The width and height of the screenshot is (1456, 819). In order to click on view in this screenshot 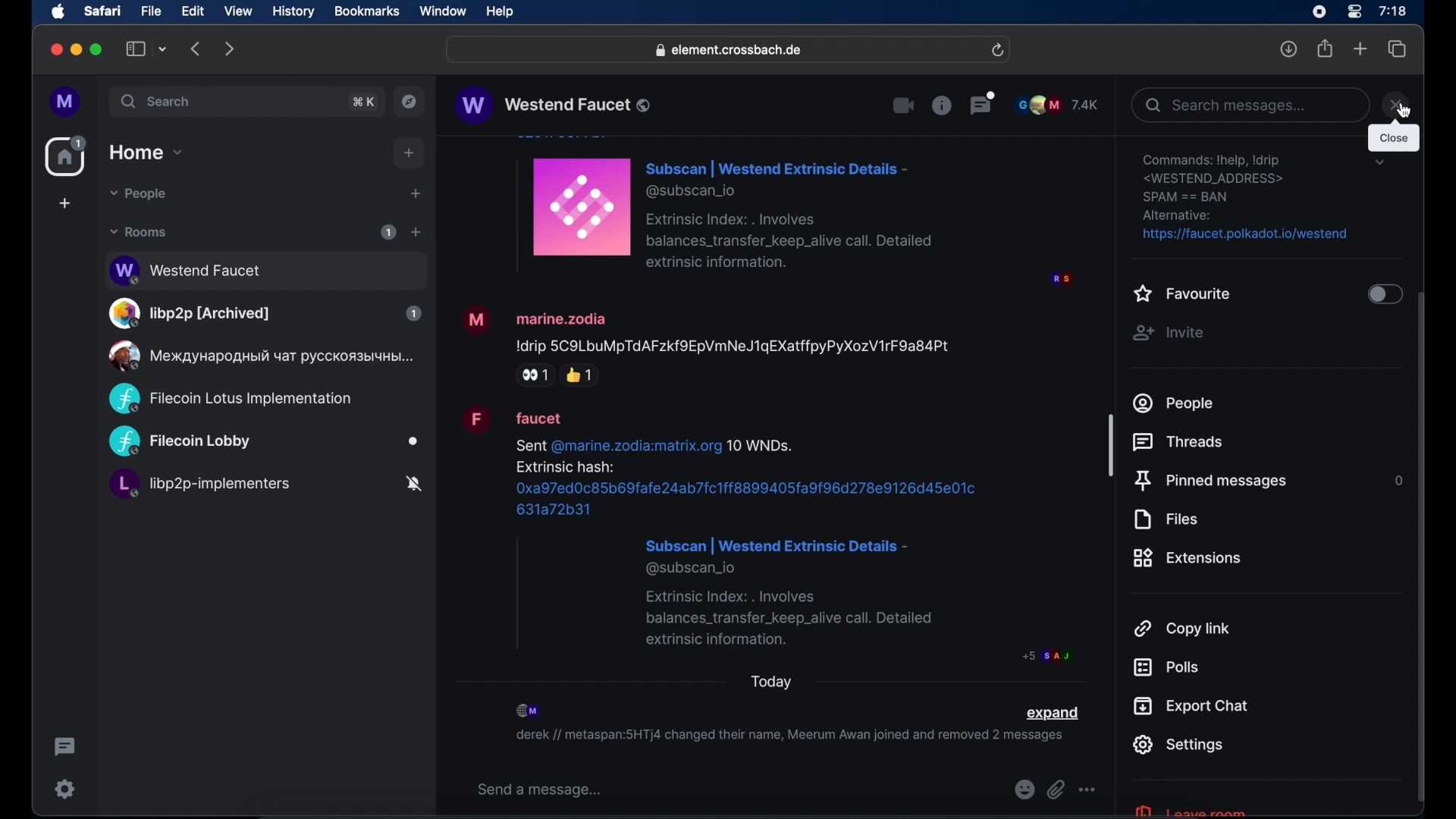, I will do `click(237, 11)`.